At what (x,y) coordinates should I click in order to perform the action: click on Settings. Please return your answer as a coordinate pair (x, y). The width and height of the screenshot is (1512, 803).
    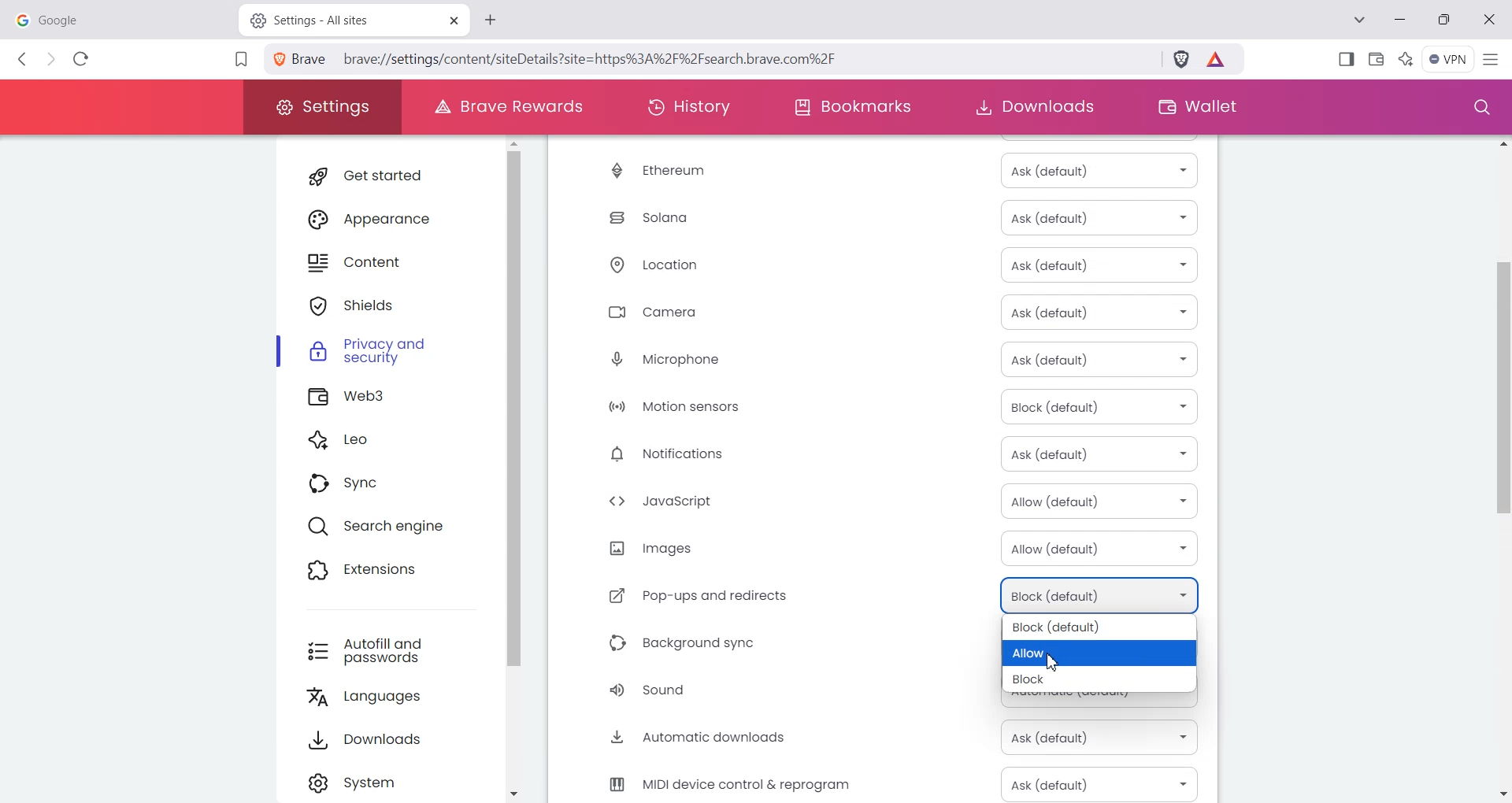
    Looking at the image, I should click on (321, 107).